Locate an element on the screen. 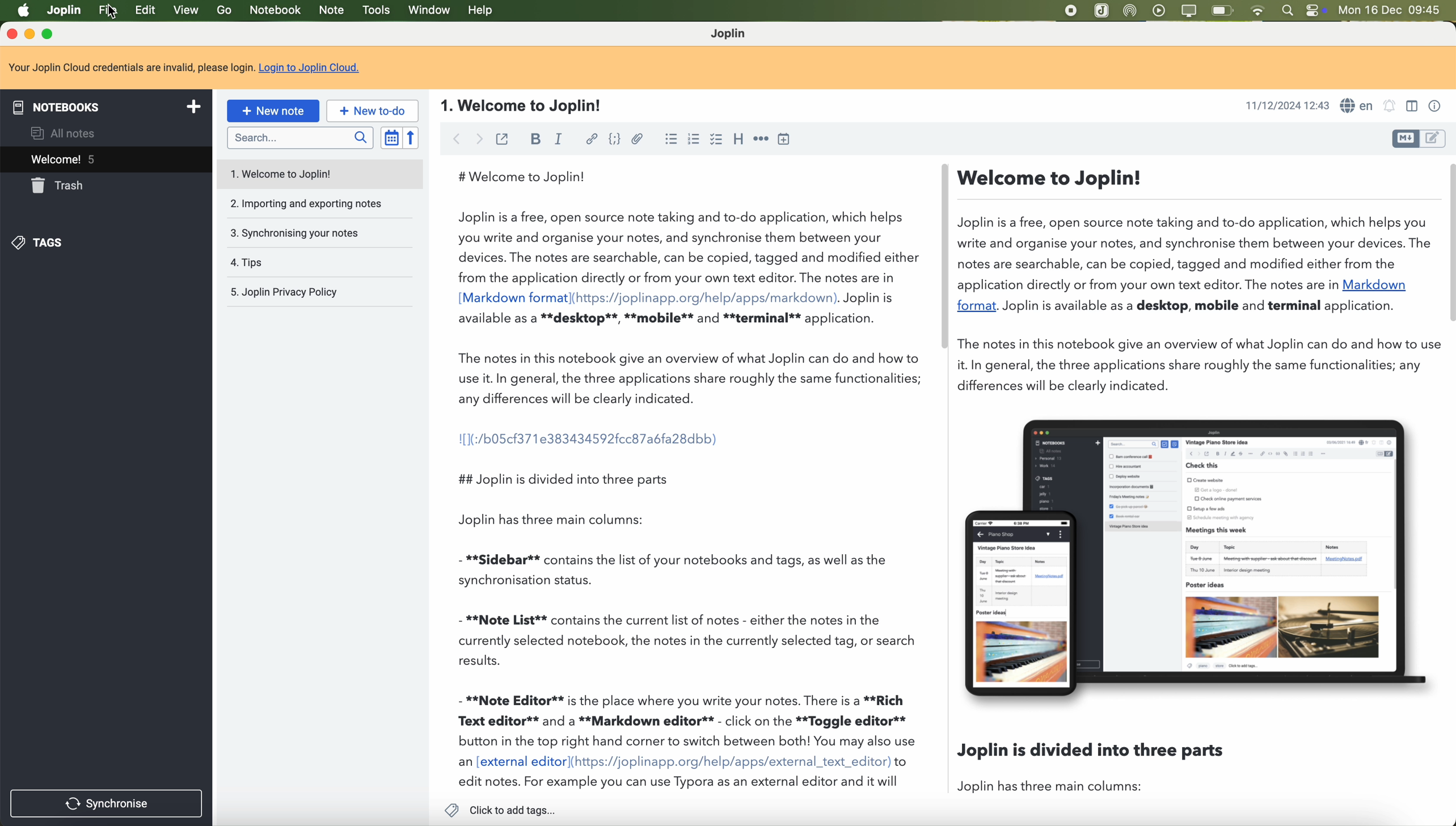  —
Welcome to Joplin!
Joplin is a free, open source note taking and to-do application, which helps you
write and organise your notes, and synchronise them between your devices. Th
notes are searchable, can be copied, tagged and modified either from the
application directly or from your own text editor. The notes are in Markdown
format. Joplin is available as a desktop, mobile and terminal application.
The notes in this notebook give an overview of what Joplin can do and how to t
it. In general, the three applications share roughly the same functionalities; any
differences will be clearly indicated. is located at coordinates (1192, 283).